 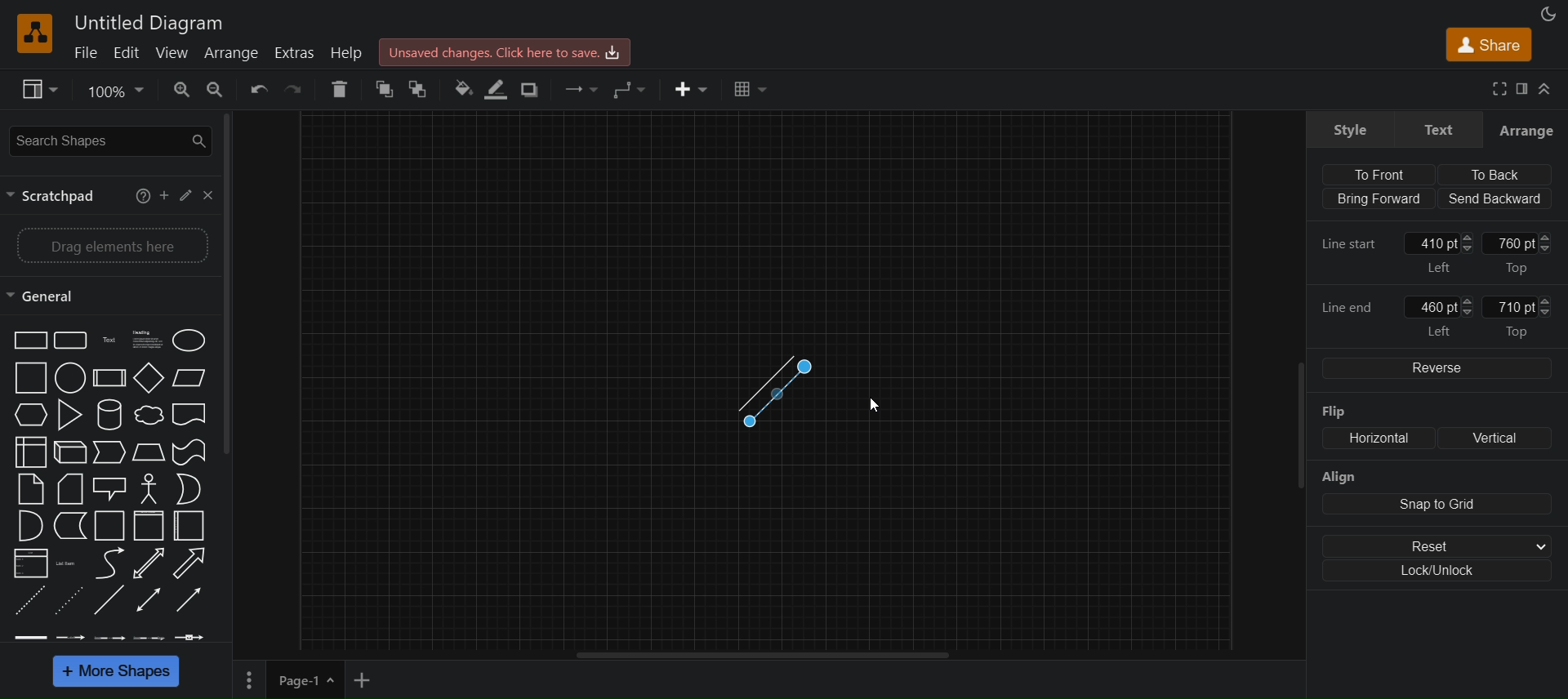 I want to click on flip, so click(x=1347, y=413).